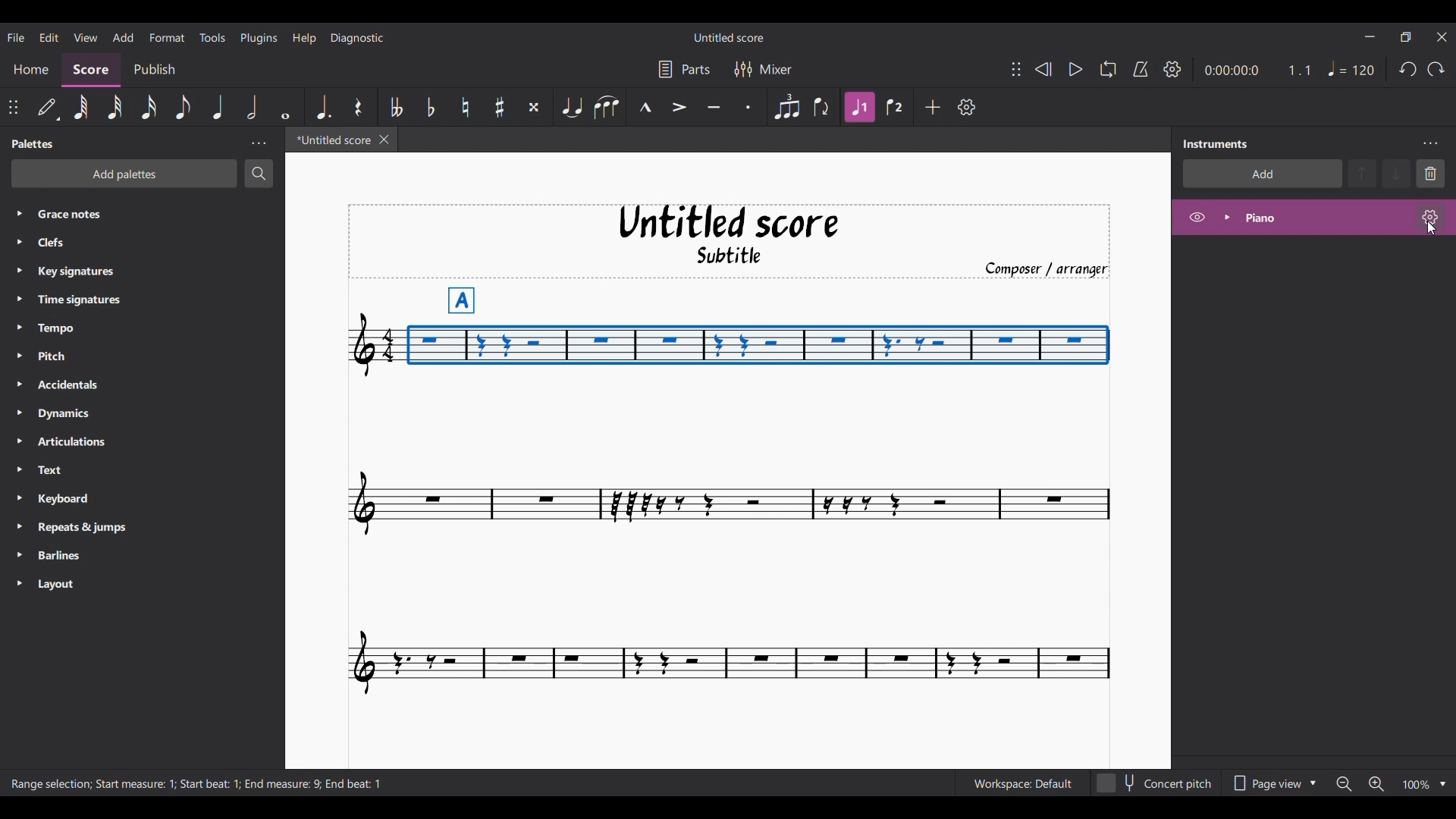  I want to click on Clefs, so click(121, 243).